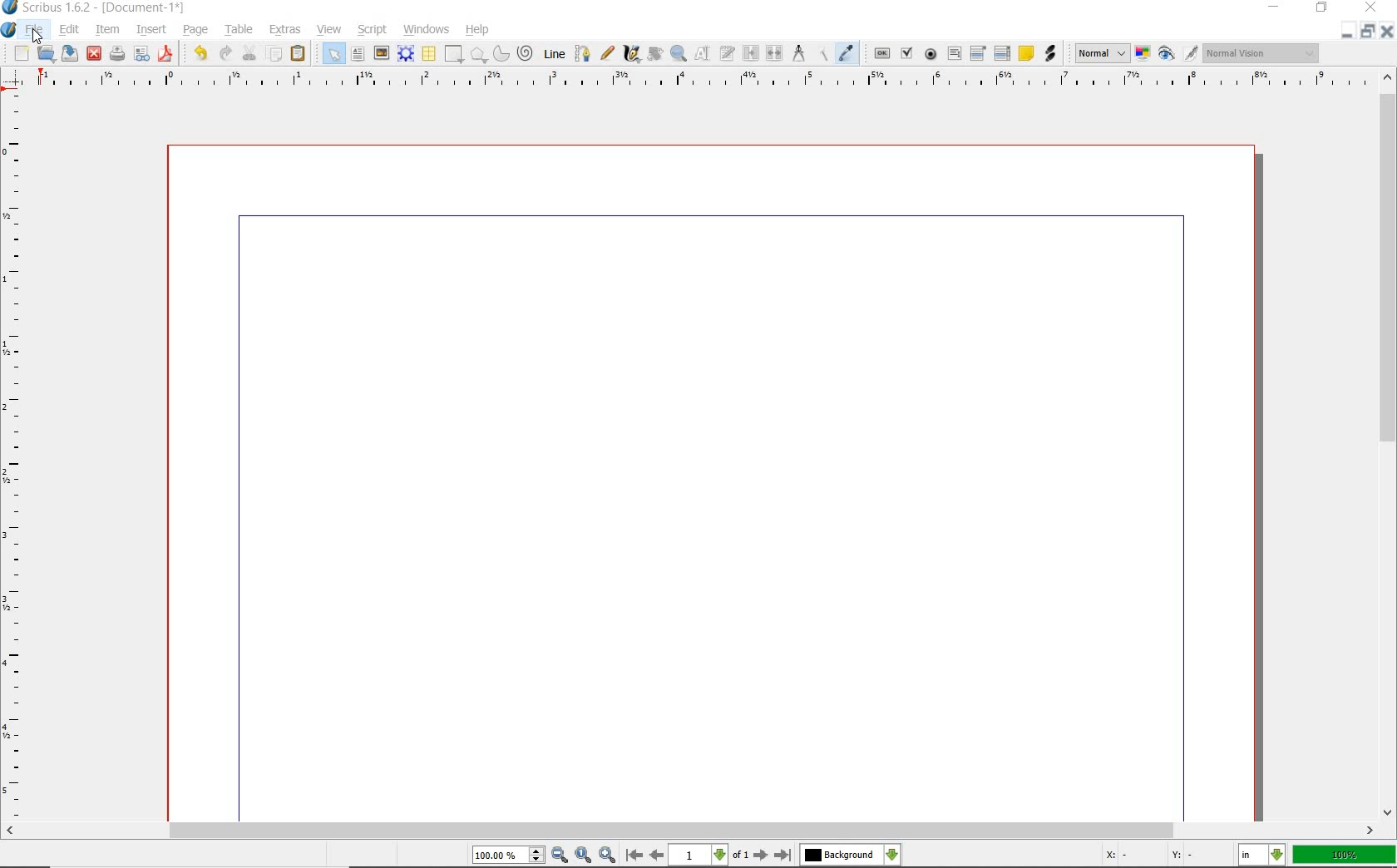  I want to click on view, so click(330, 30).